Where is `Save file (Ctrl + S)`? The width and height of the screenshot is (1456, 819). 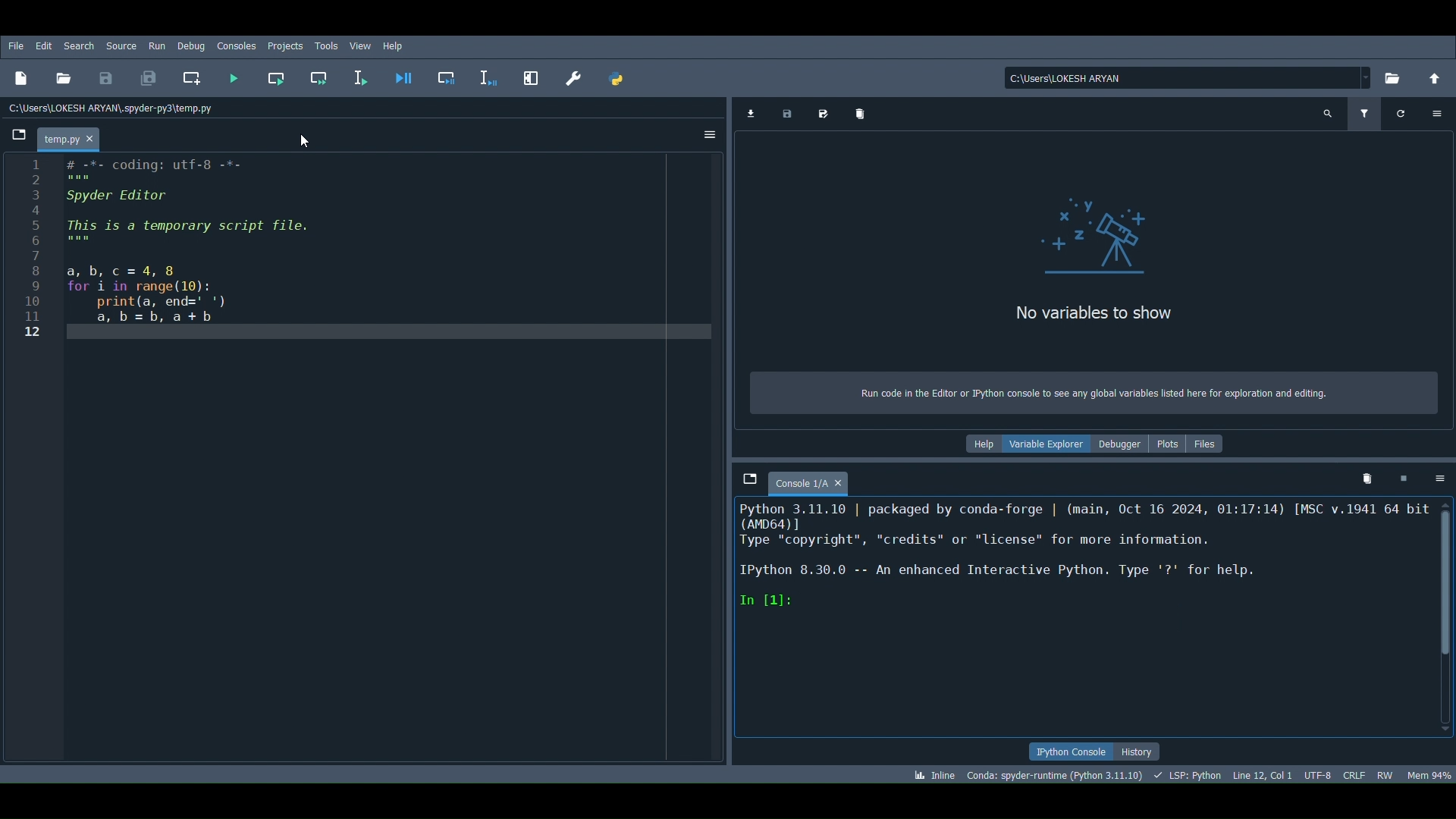 Save file (Ctrl + S) is located at coordinates (103, 77).